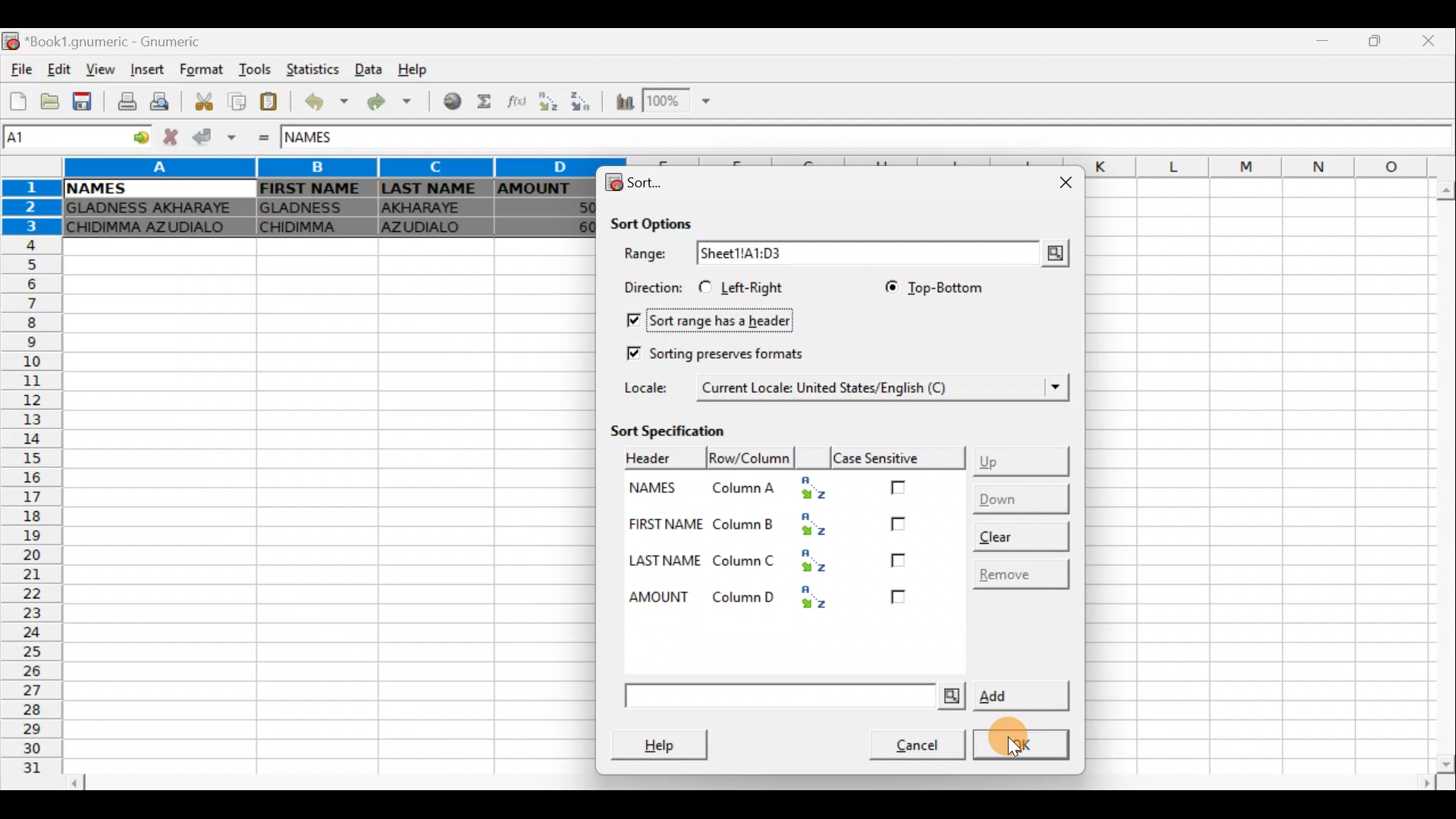 Image resolution: width=1456 pixels, height=819 pixels. Describe the element at coordinates (313, 206) in the screenshot. I see `GLADNESS` at that location.